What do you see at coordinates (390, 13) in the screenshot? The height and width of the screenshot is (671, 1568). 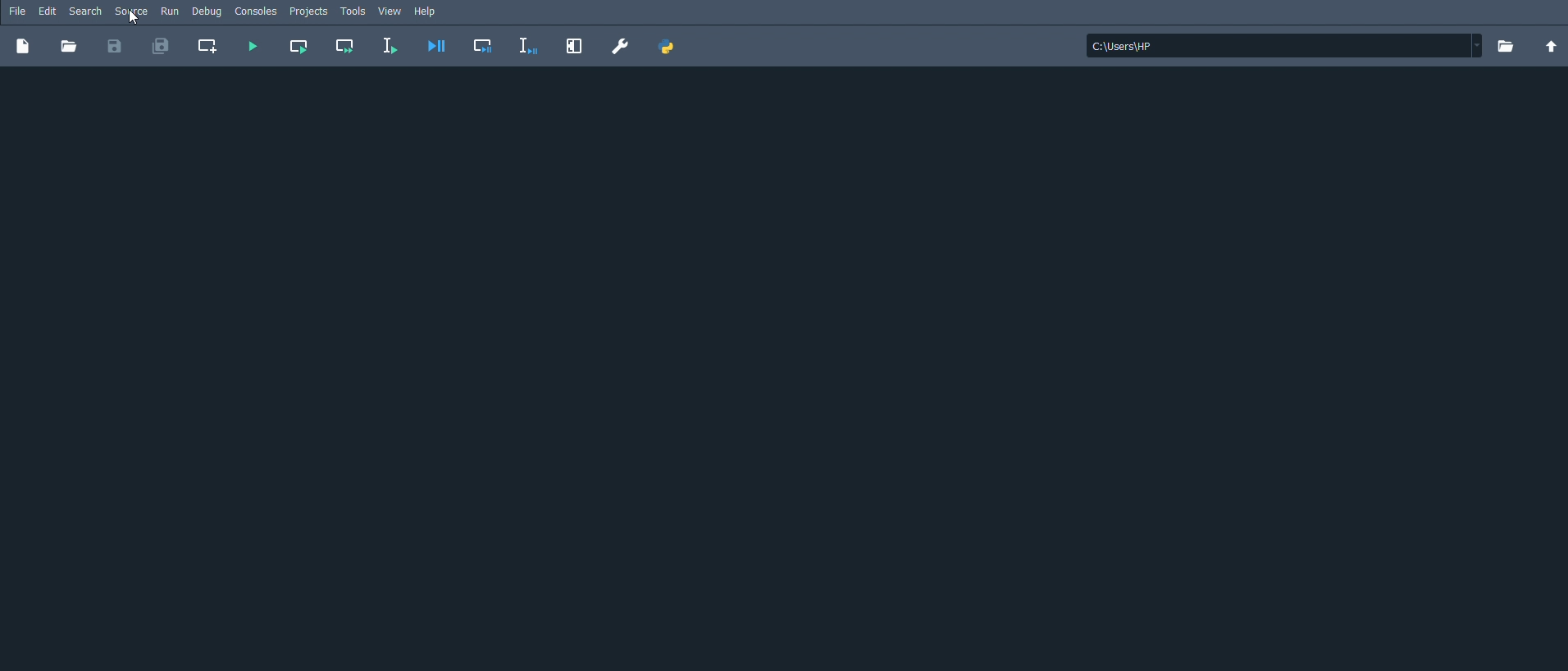 I see `View` at bounding box center [390, 13].